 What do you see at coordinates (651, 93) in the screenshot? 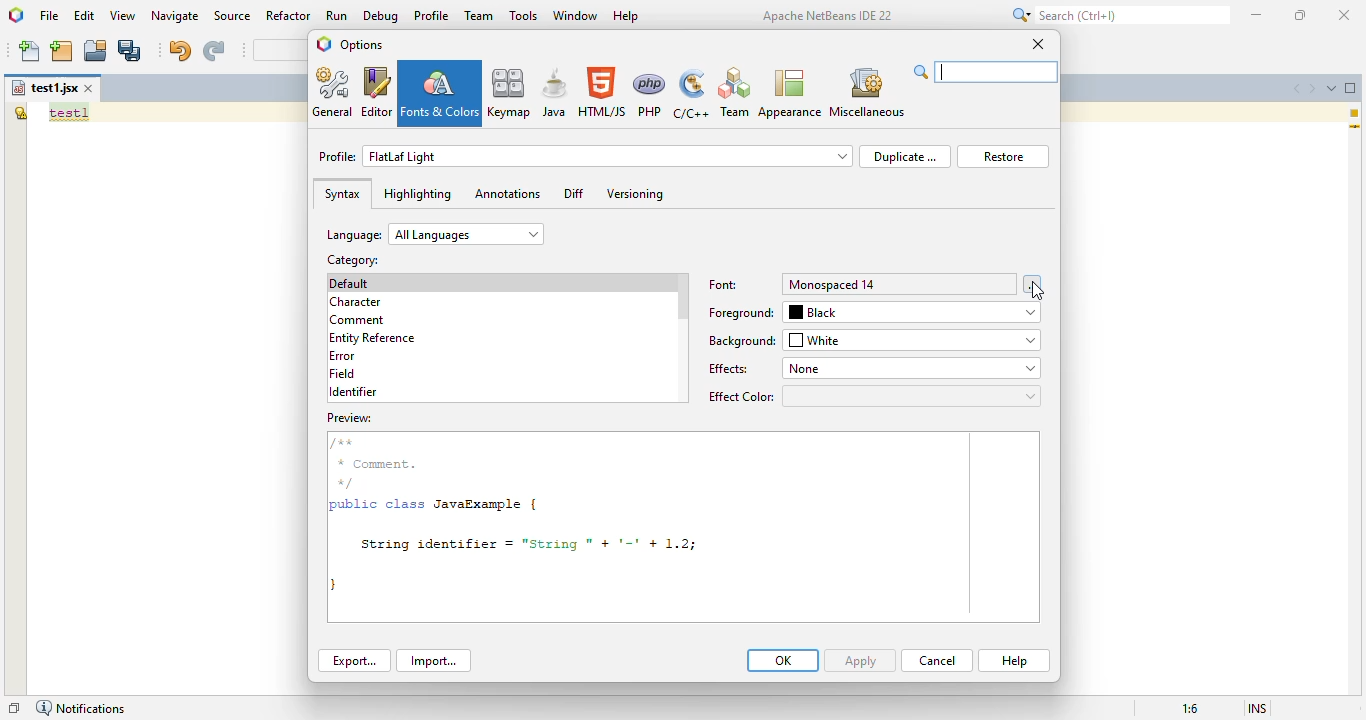
I see `PHP` at bounding box center [651, 93].